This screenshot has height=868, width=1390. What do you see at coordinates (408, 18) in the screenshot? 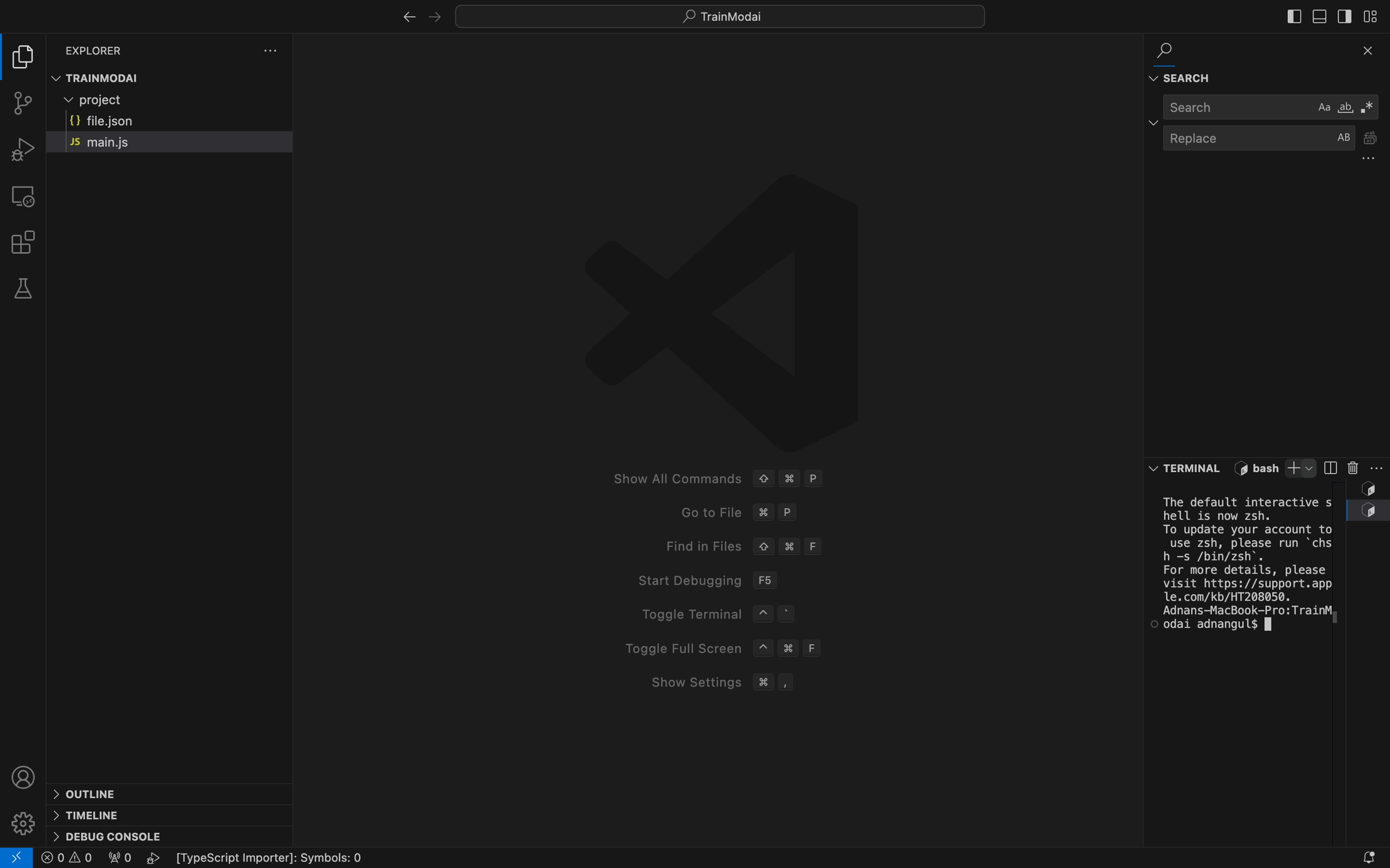
I see `arrow left` at bounding box center [408, 18].